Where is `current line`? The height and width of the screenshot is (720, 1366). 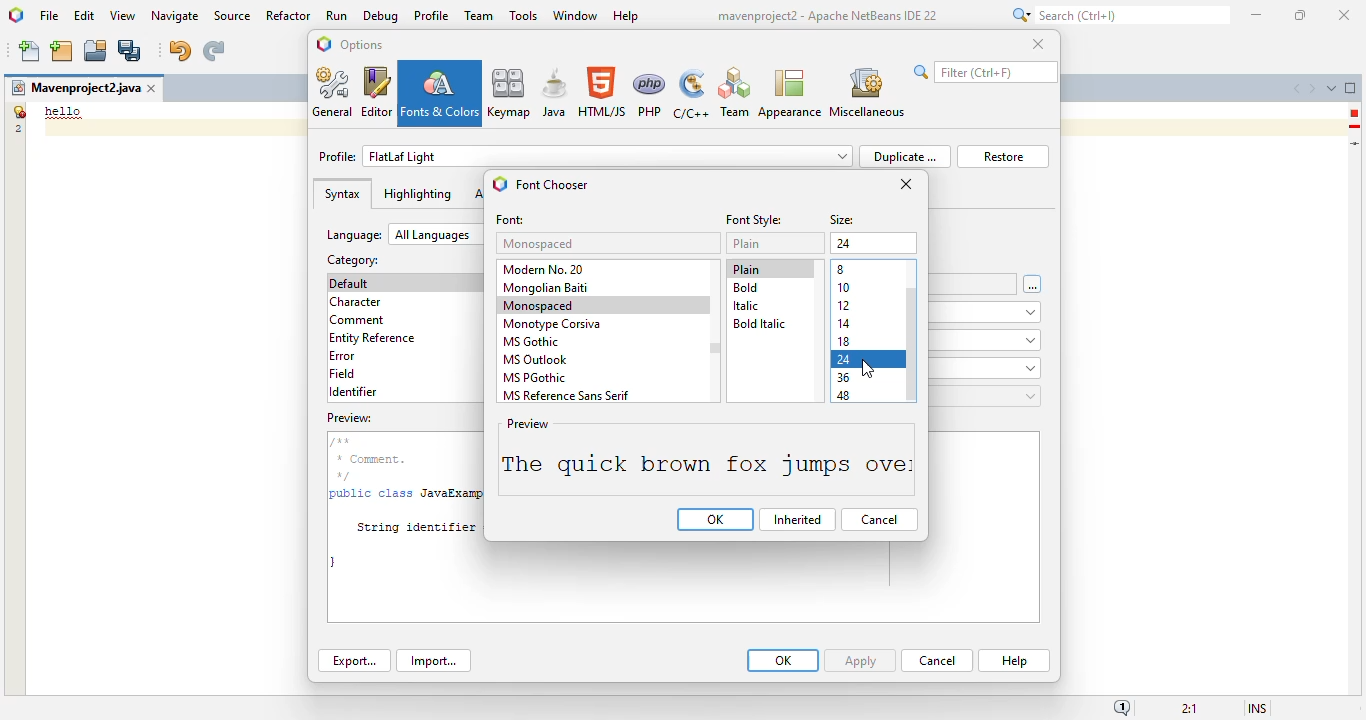
current line is located at coordinates (1356, 143).